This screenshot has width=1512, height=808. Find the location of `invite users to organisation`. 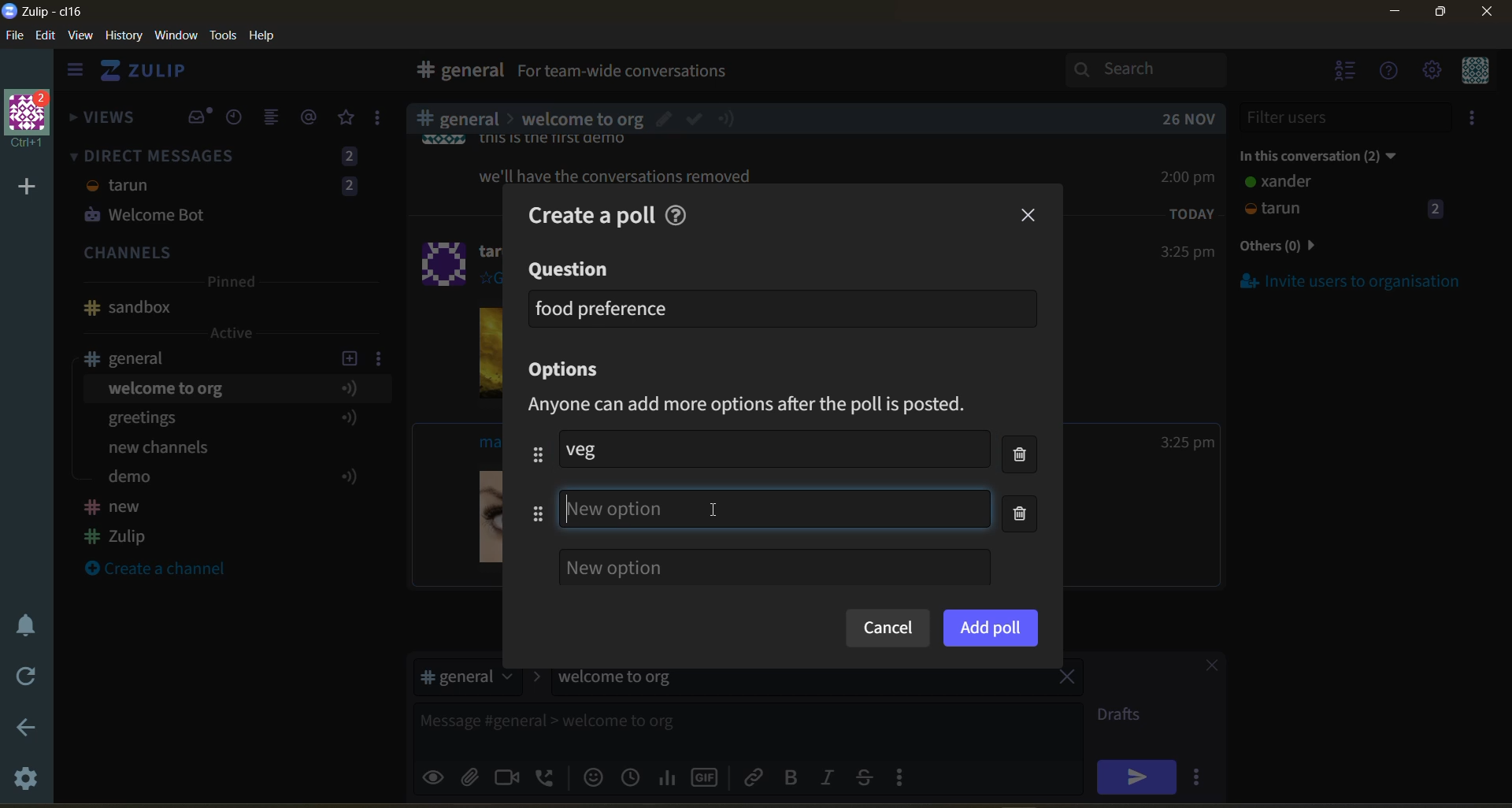

invite users to organisation is located at coordinates (1351, 280).